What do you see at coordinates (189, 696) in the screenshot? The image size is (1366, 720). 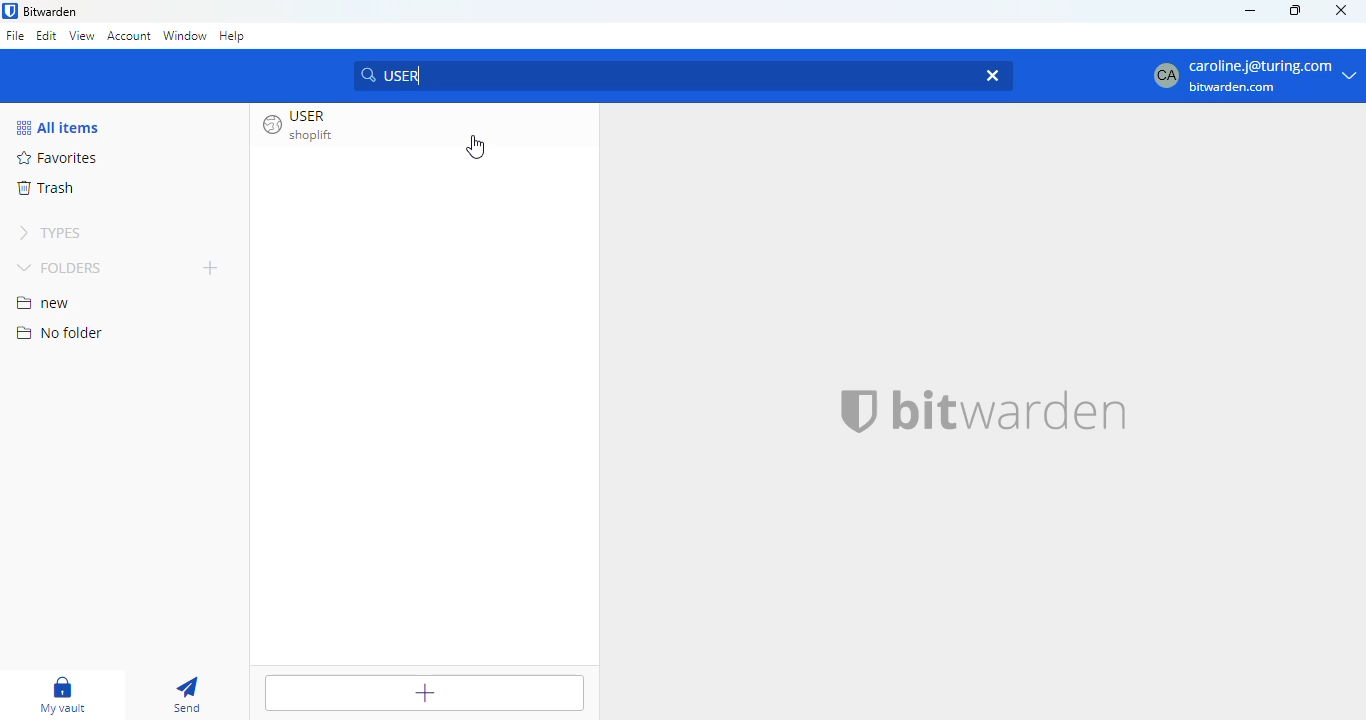 I see `send` at bounding box center [189, 696].